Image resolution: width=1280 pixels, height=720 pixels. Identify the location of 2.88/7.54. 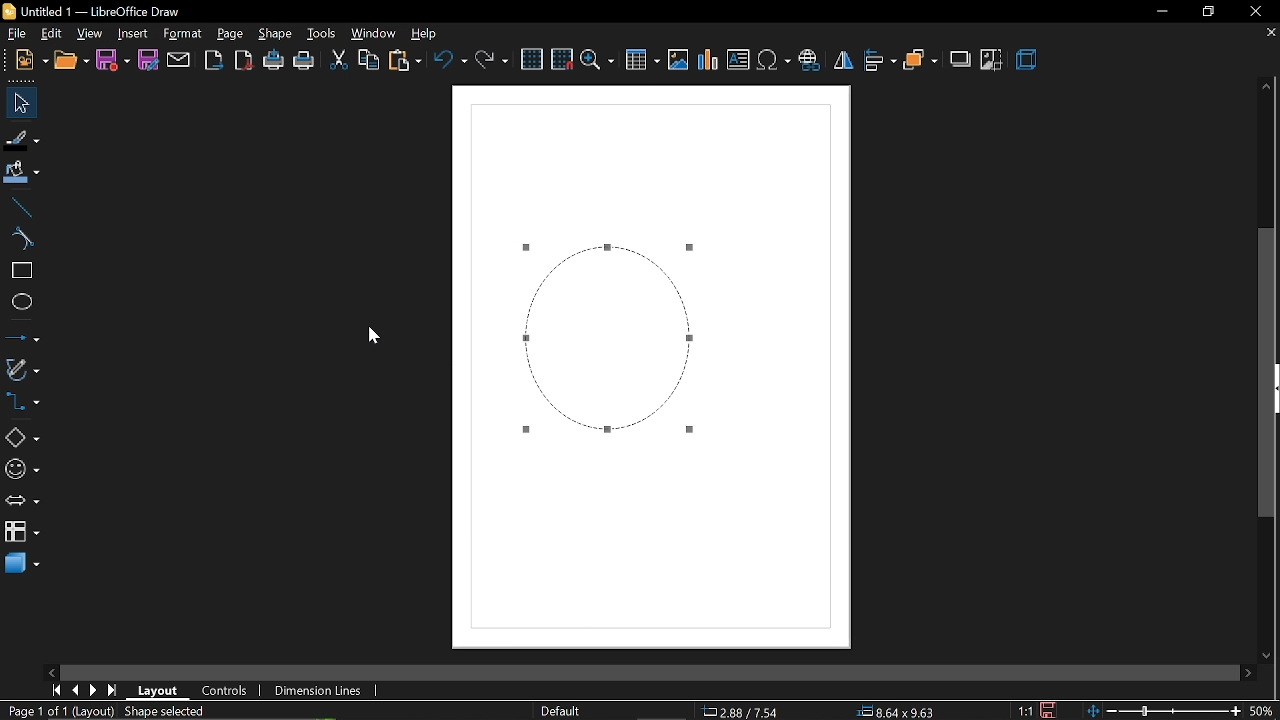
(742, 710).